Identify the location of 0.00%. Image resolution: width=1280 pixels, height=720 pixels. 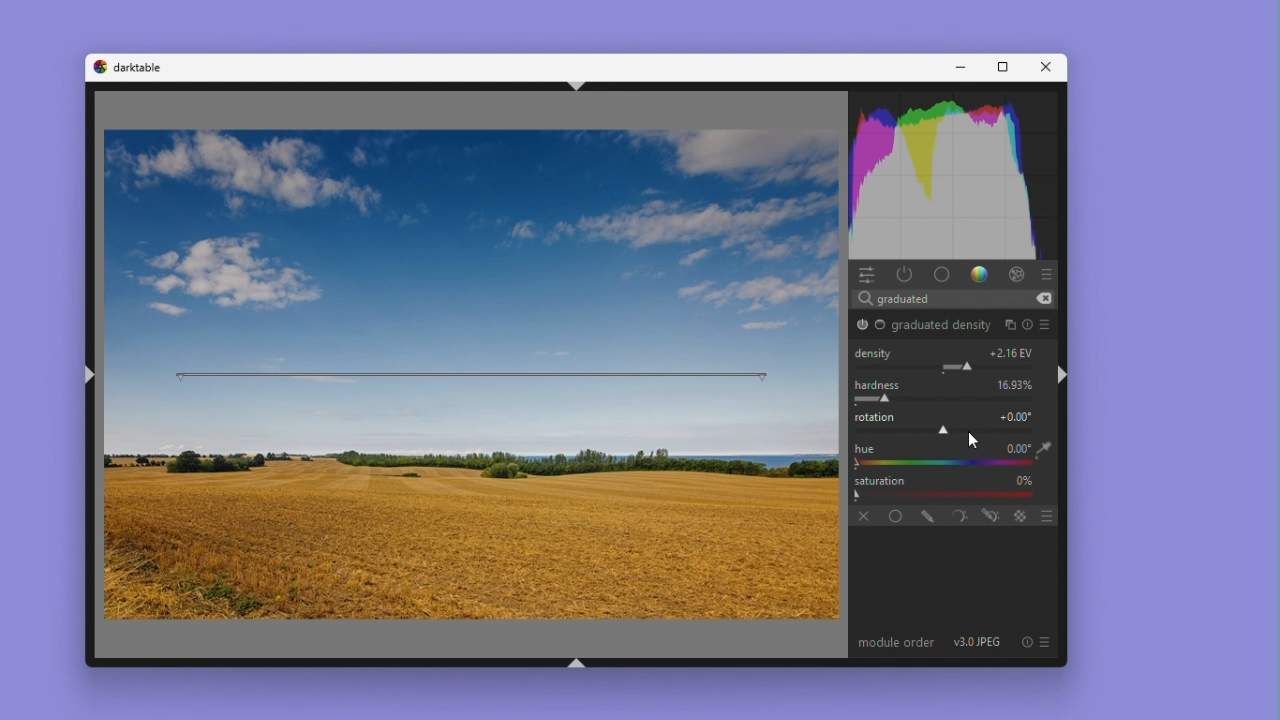
(1017, 384).